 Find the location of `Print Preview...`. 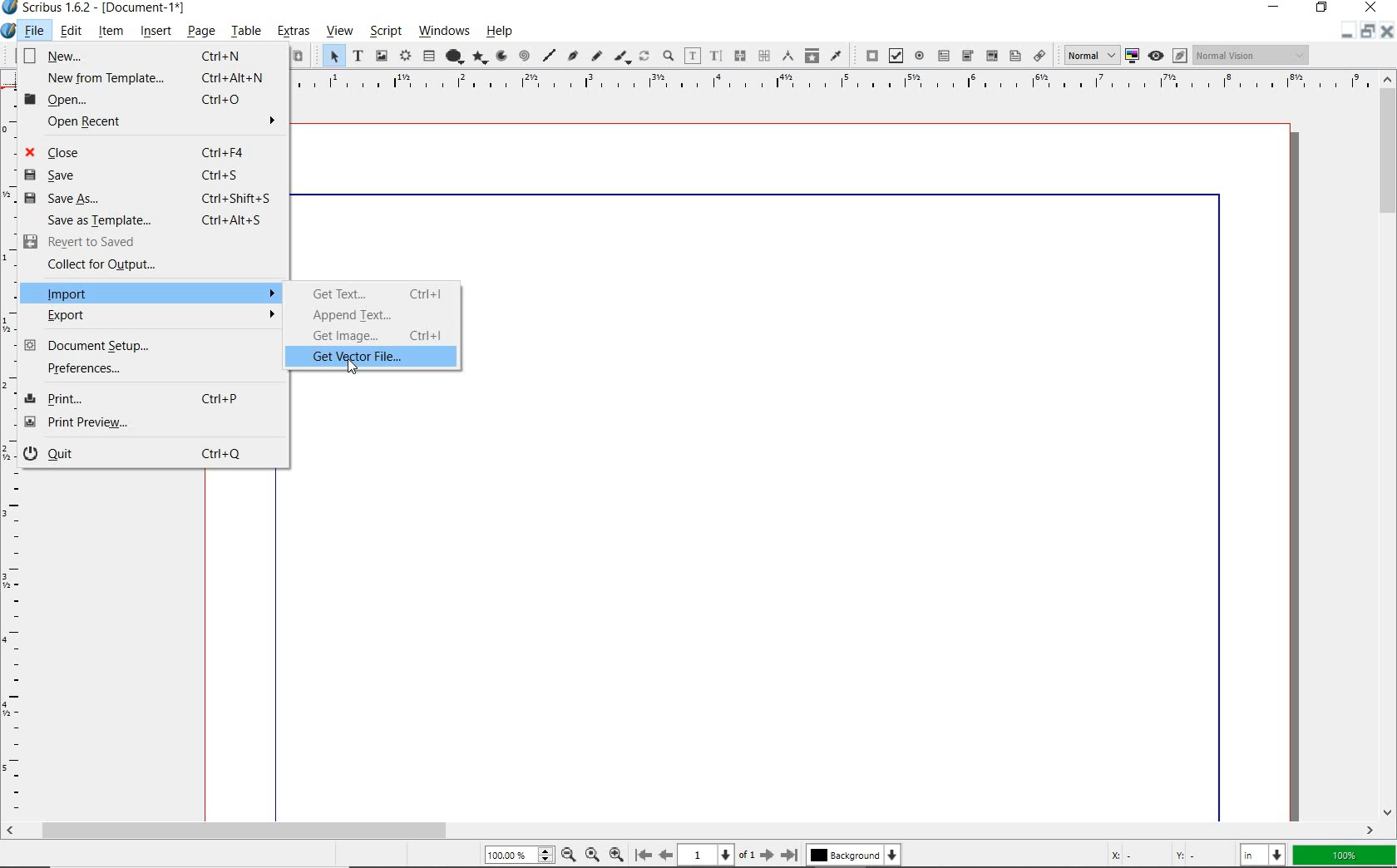

Print Preview... is located at coordinates (151, 424).